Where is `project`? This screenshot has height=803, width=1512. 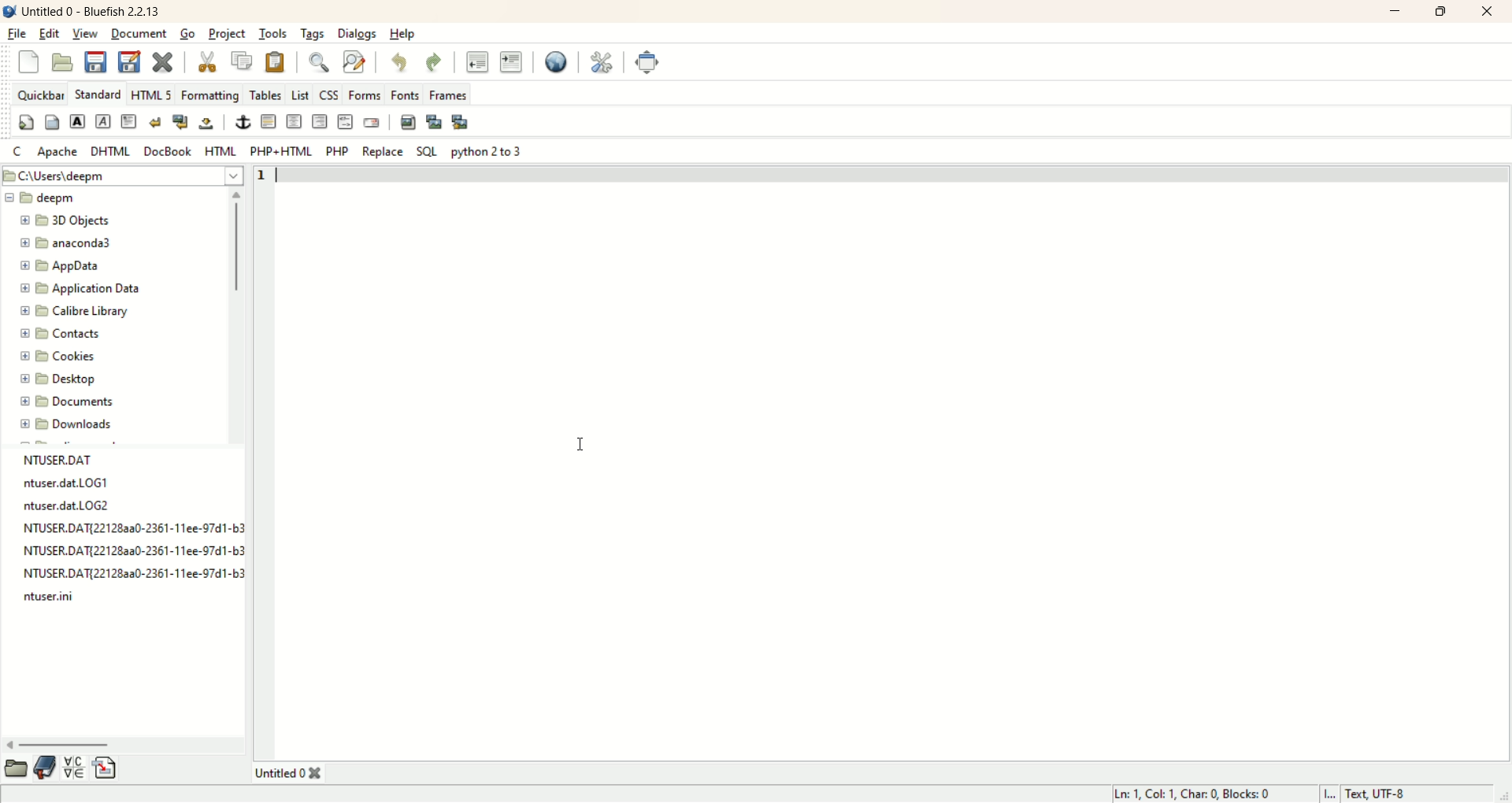
project is located at coordinates (225, 34).